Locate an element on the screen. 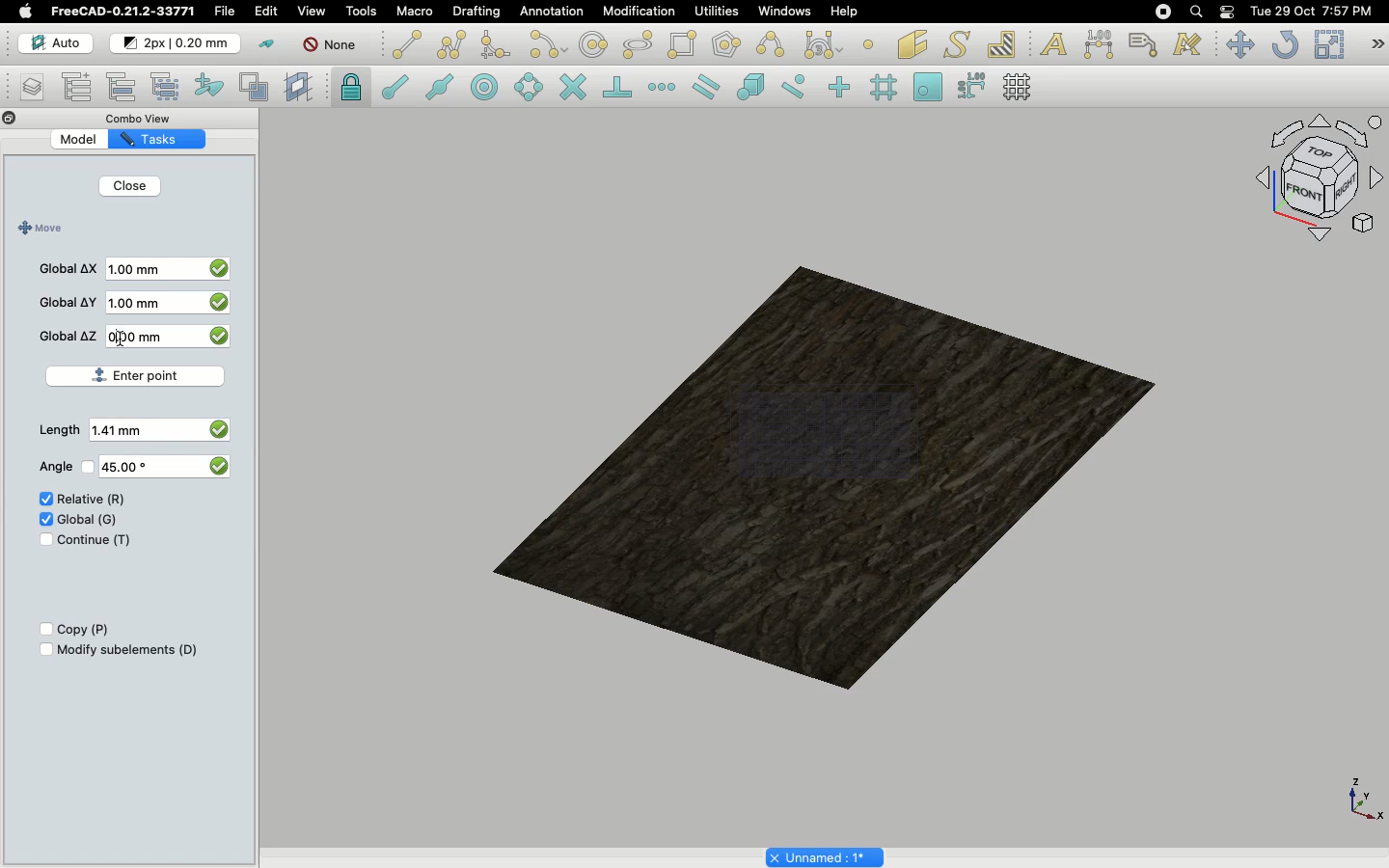 This screenshot has width=1389, height=868. B-spline is located at coordinates (774, 44).